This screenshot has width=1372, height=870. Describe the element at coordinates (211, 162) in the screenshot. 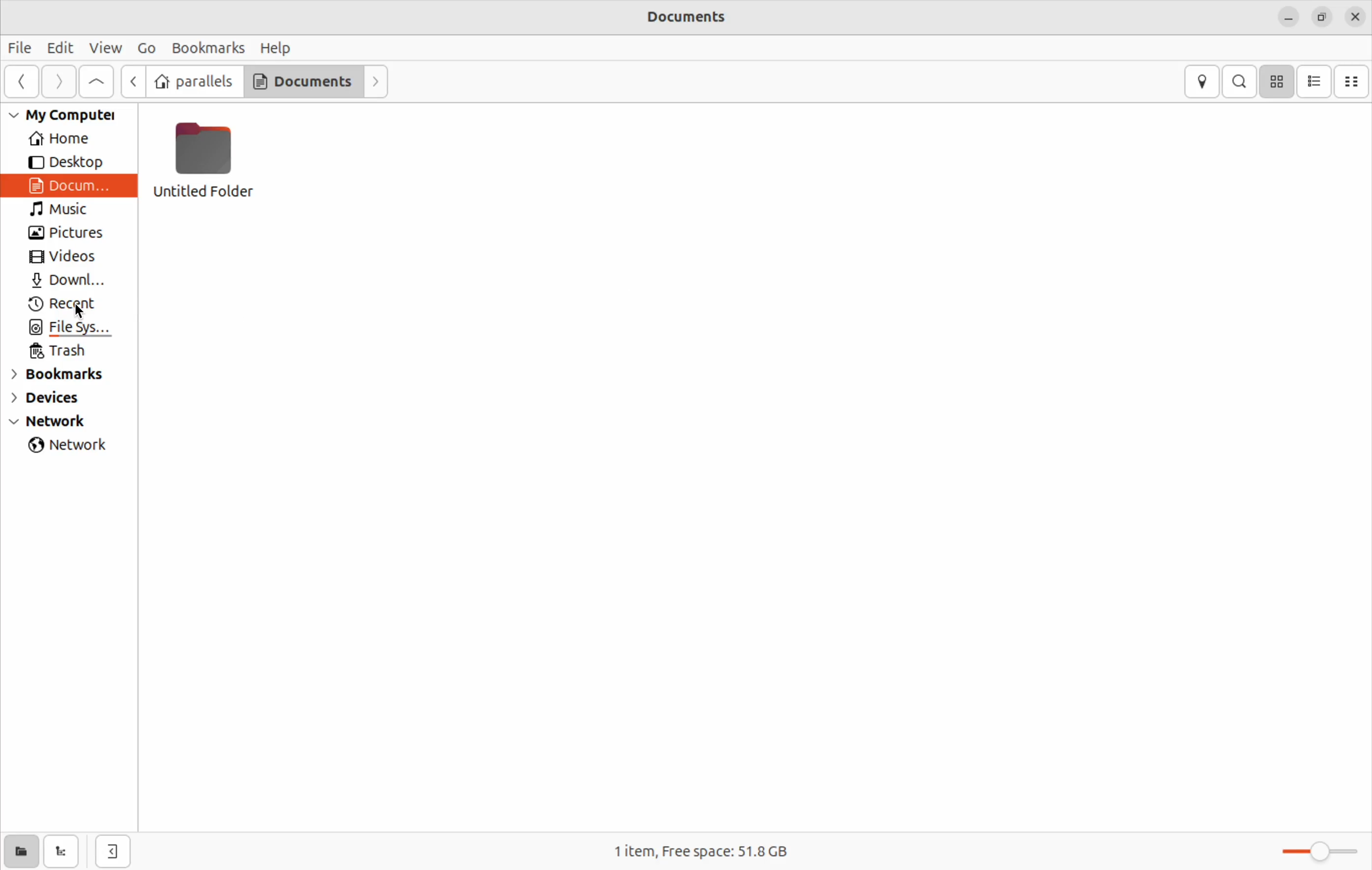

I see `untitled folder` at that location.